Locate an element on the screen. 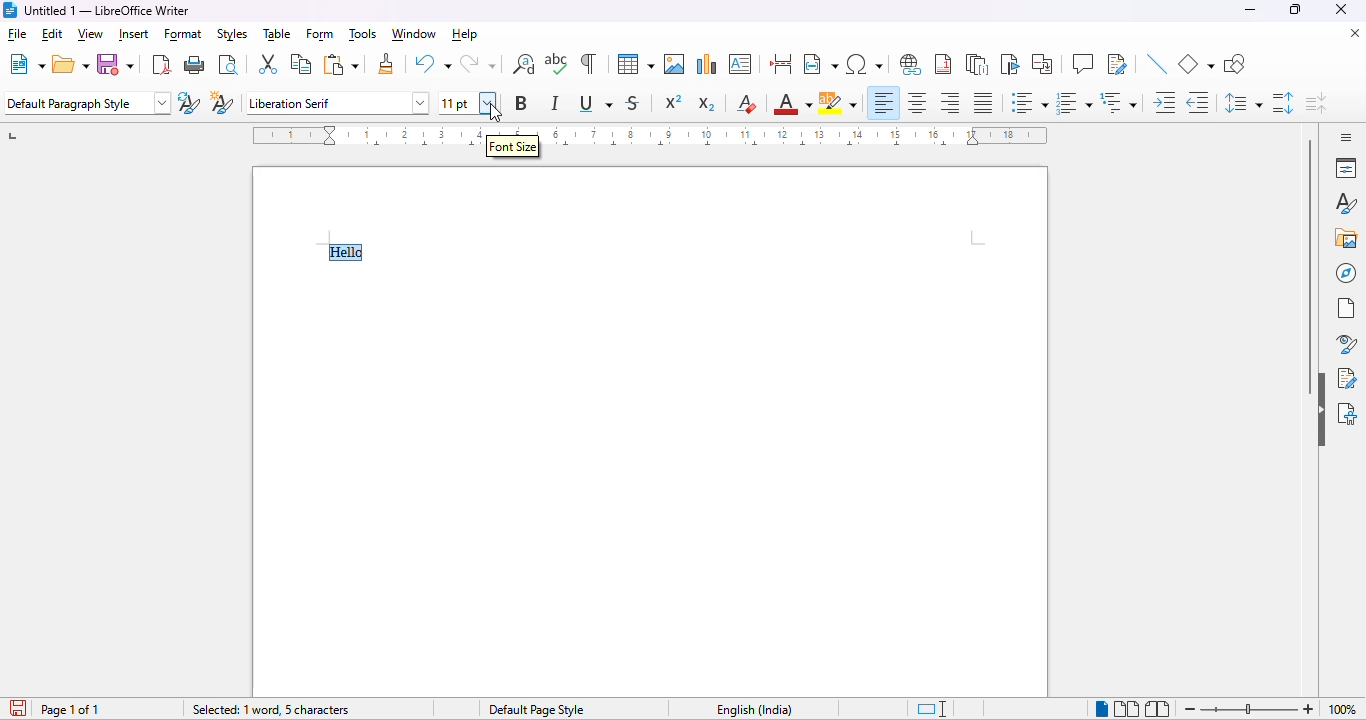  font size is located at coordinates (513, 146).